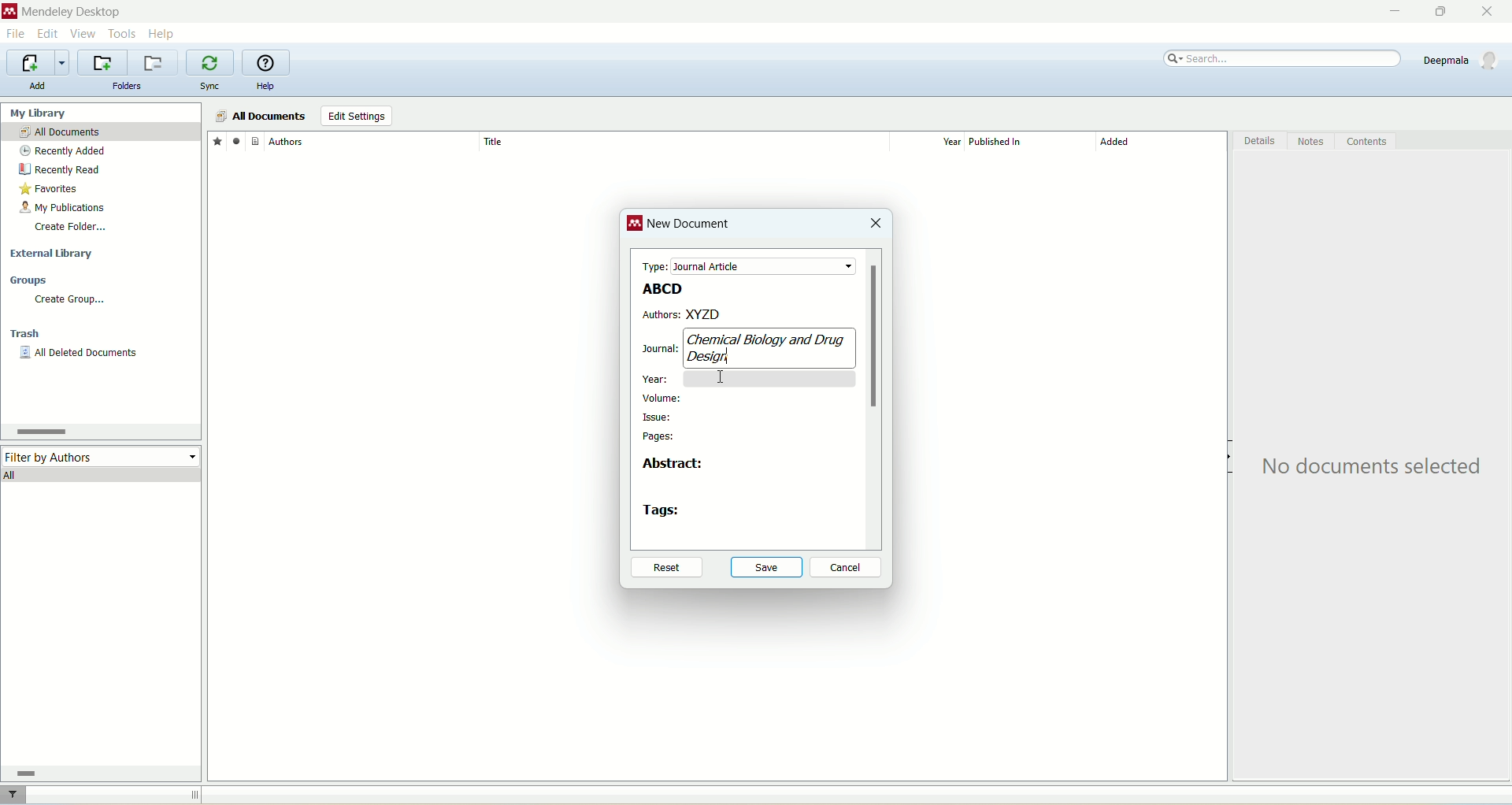 The width and height of the screenshot is (1512, 805). I want to click on CH, so click(763, 339).